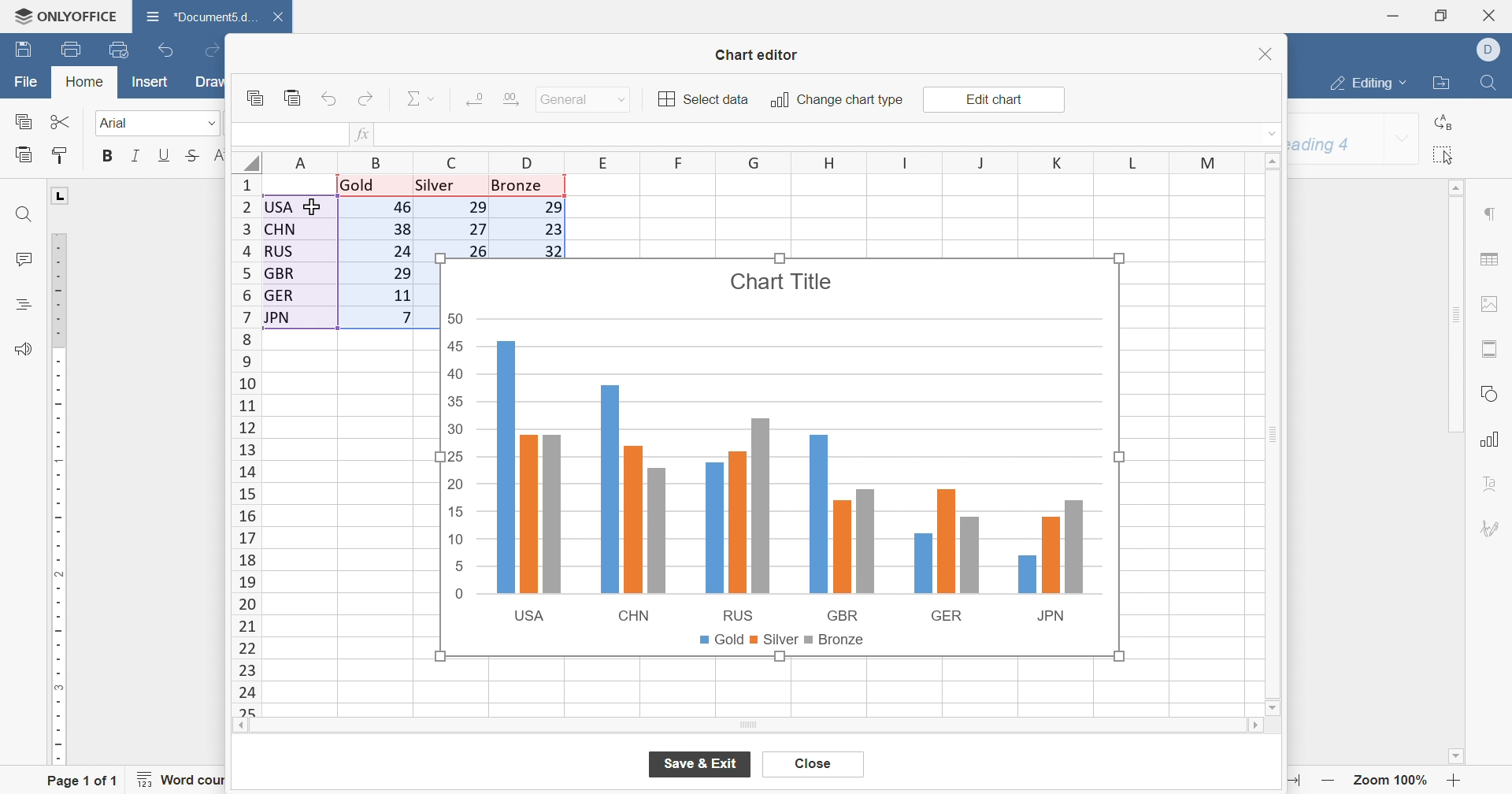 The image size is (1512, 794). I want to click on word count, so click(188, 780).